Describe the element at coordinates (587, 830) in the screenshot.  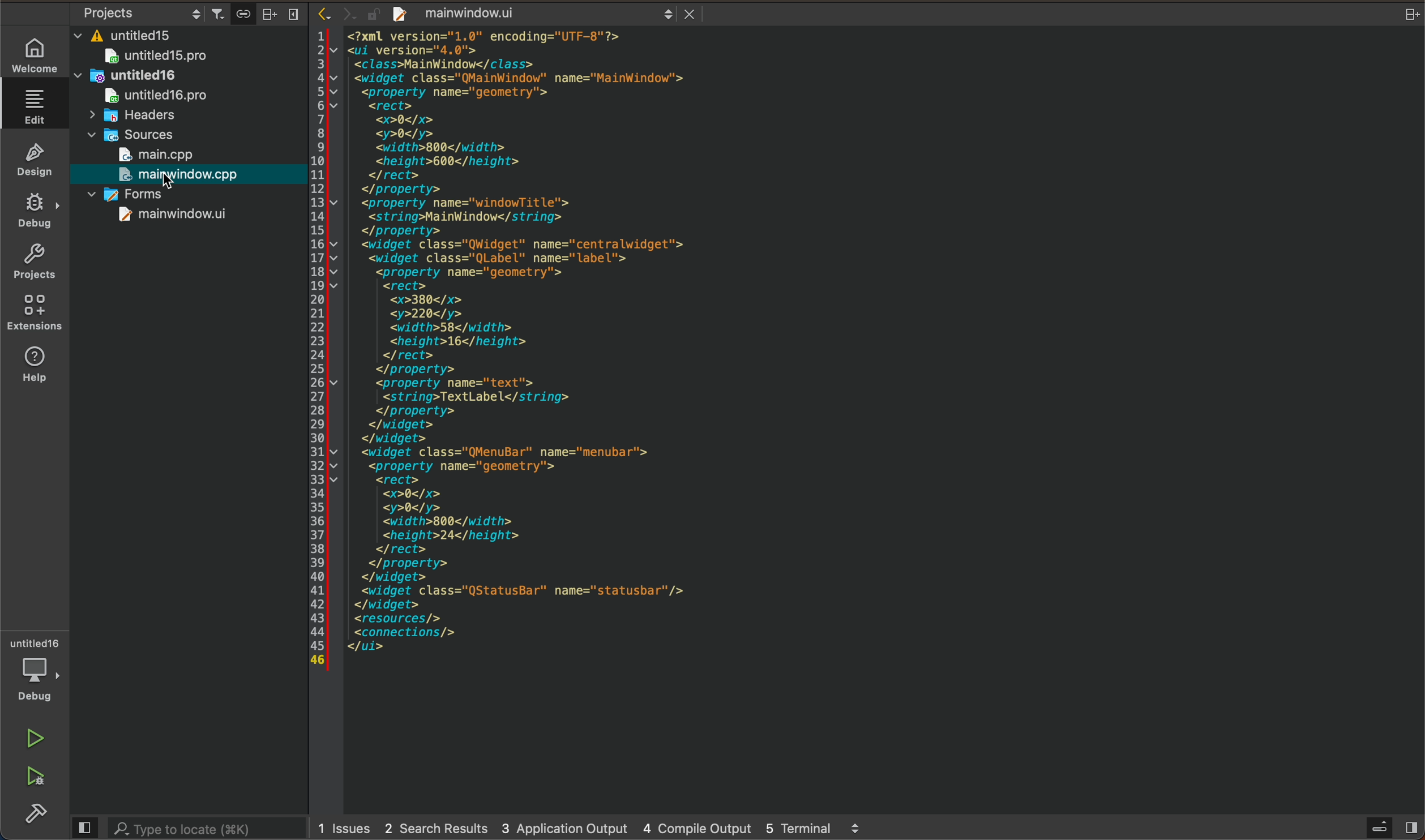
I see `1 Issues 2 Search Results 3 Application Output 4 Compile Output 5 Terminal` at that location.